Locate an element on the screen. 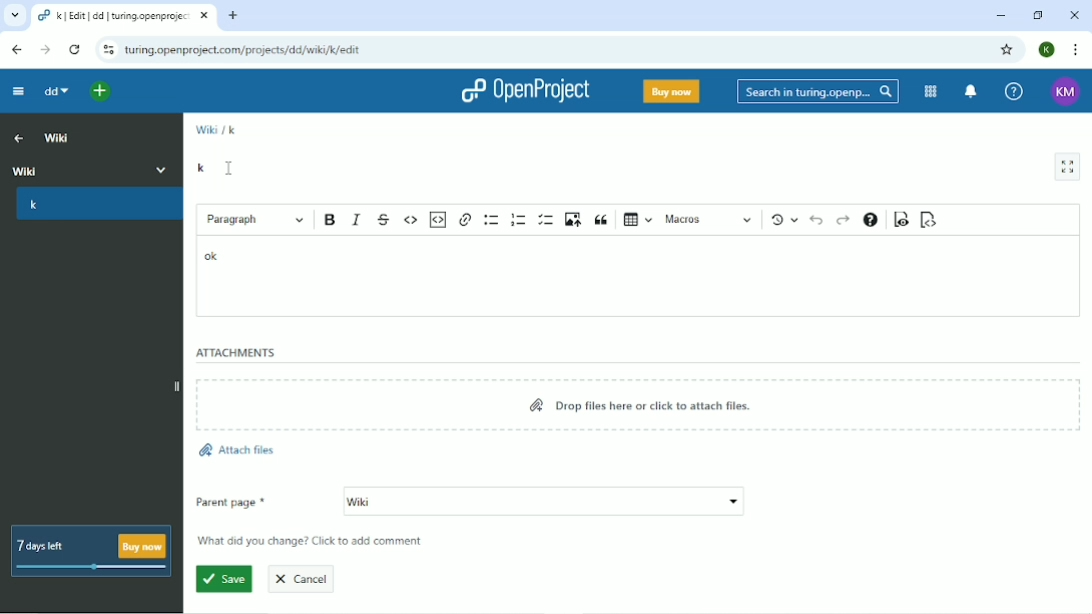 The image size is (1092, 614). Italic is located at coordinates (356, 219).